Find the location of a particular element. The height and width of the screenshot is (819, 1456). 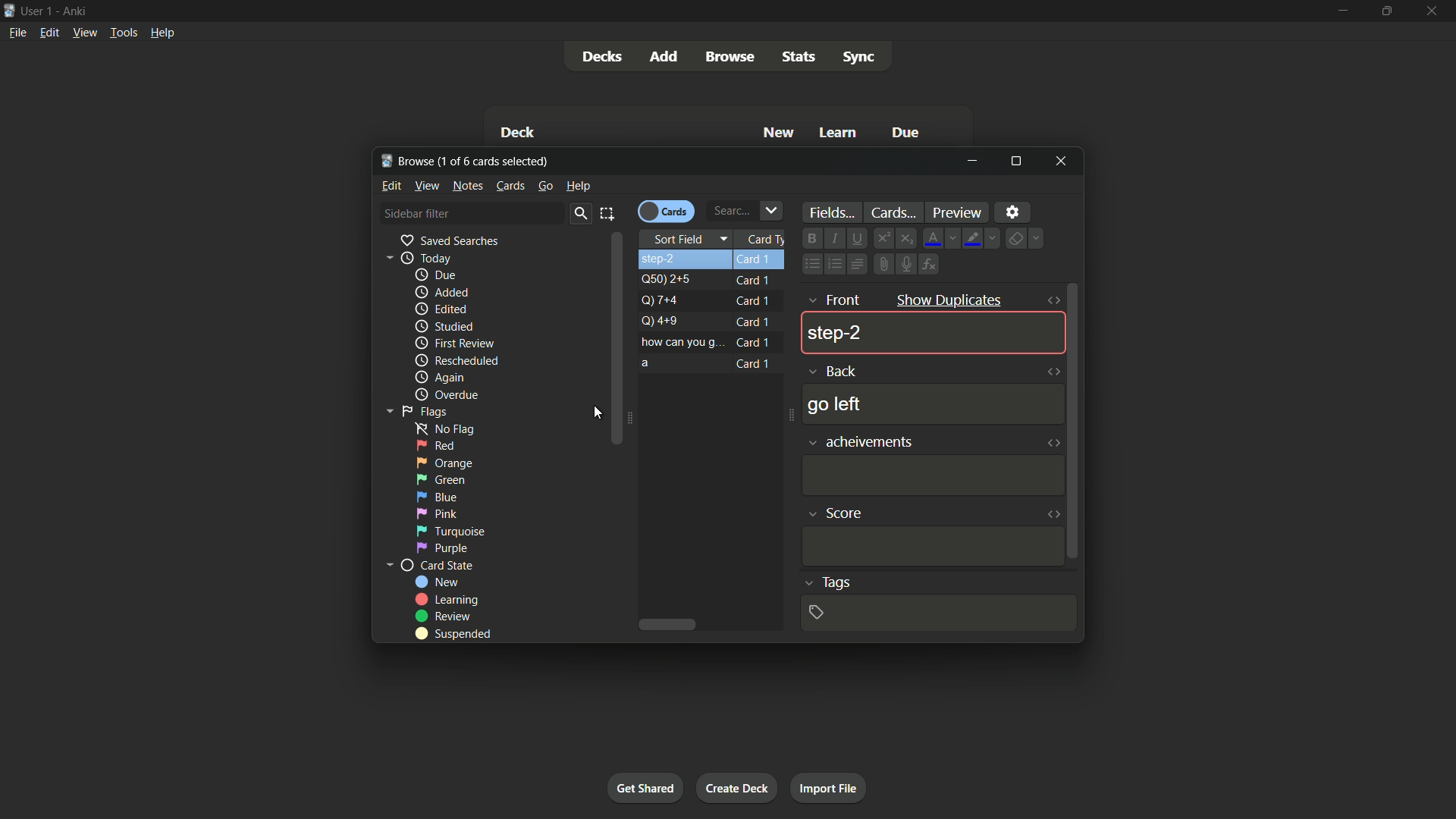

Preview is located at coordinates (959, 212).